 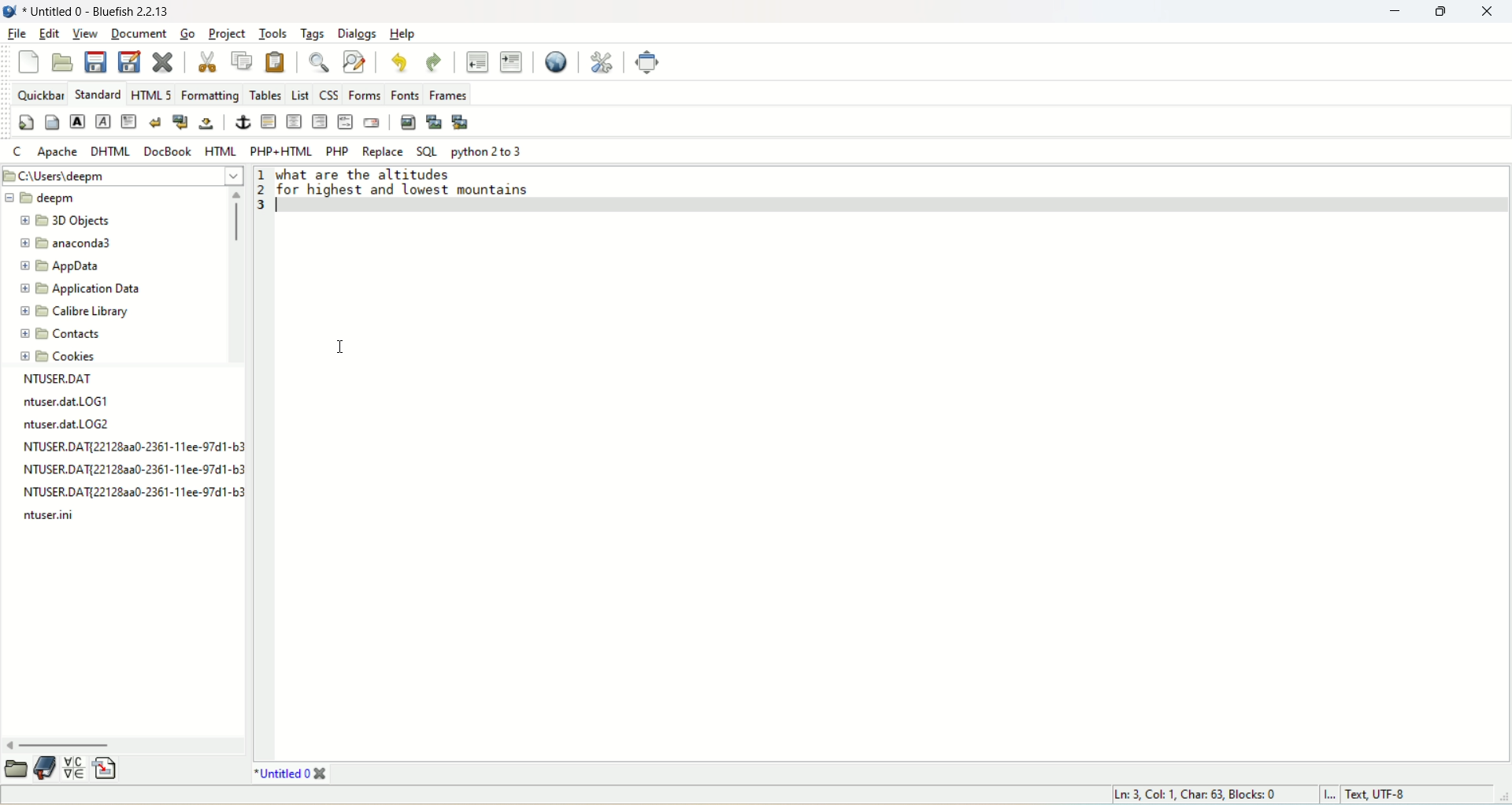 What do you see at coordinates (1331, 796) in the screenshot?
I see `I` at bounding box center [1331, 796].